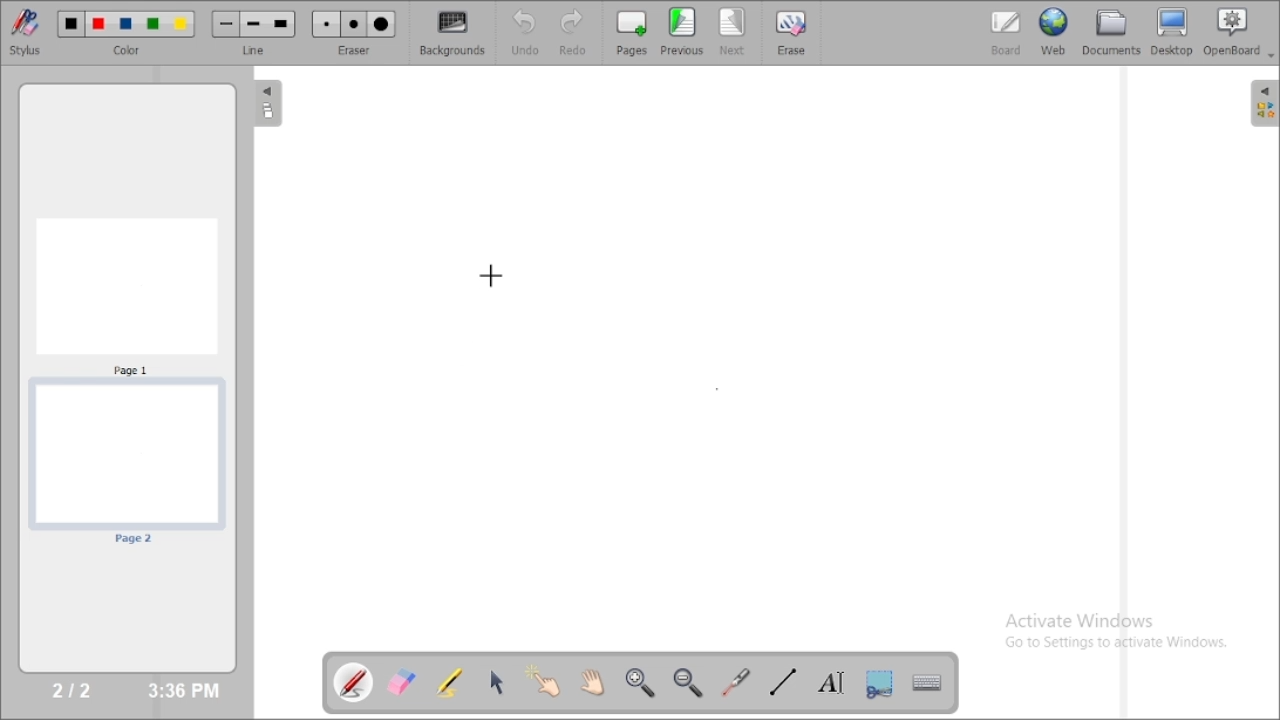 The image size is (1280, 720). What do you see at coordinates (256, 50) in the screenshot?
I see `line` at bounding box center [256, 50].